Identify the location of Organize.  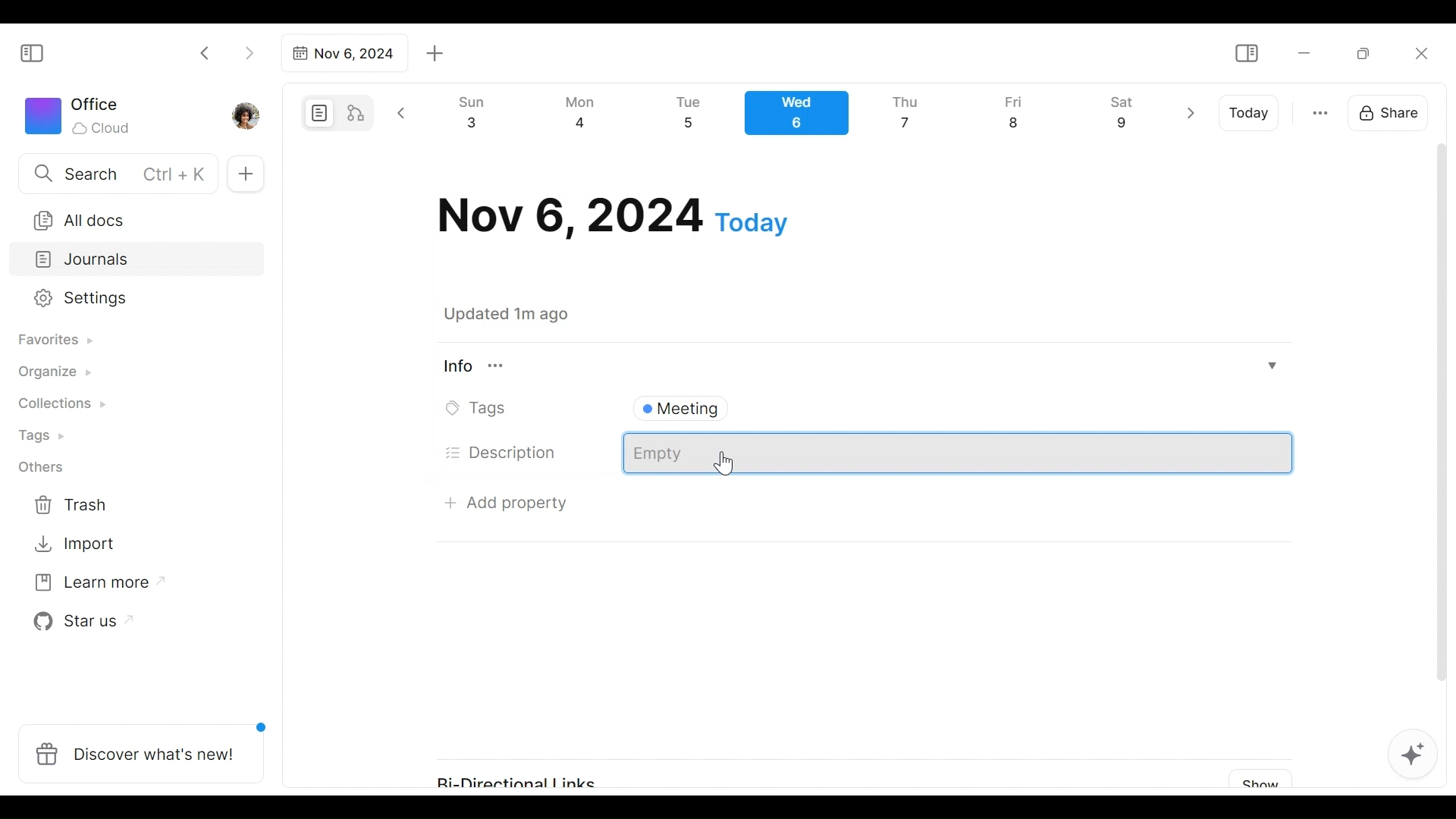
(53, 373).